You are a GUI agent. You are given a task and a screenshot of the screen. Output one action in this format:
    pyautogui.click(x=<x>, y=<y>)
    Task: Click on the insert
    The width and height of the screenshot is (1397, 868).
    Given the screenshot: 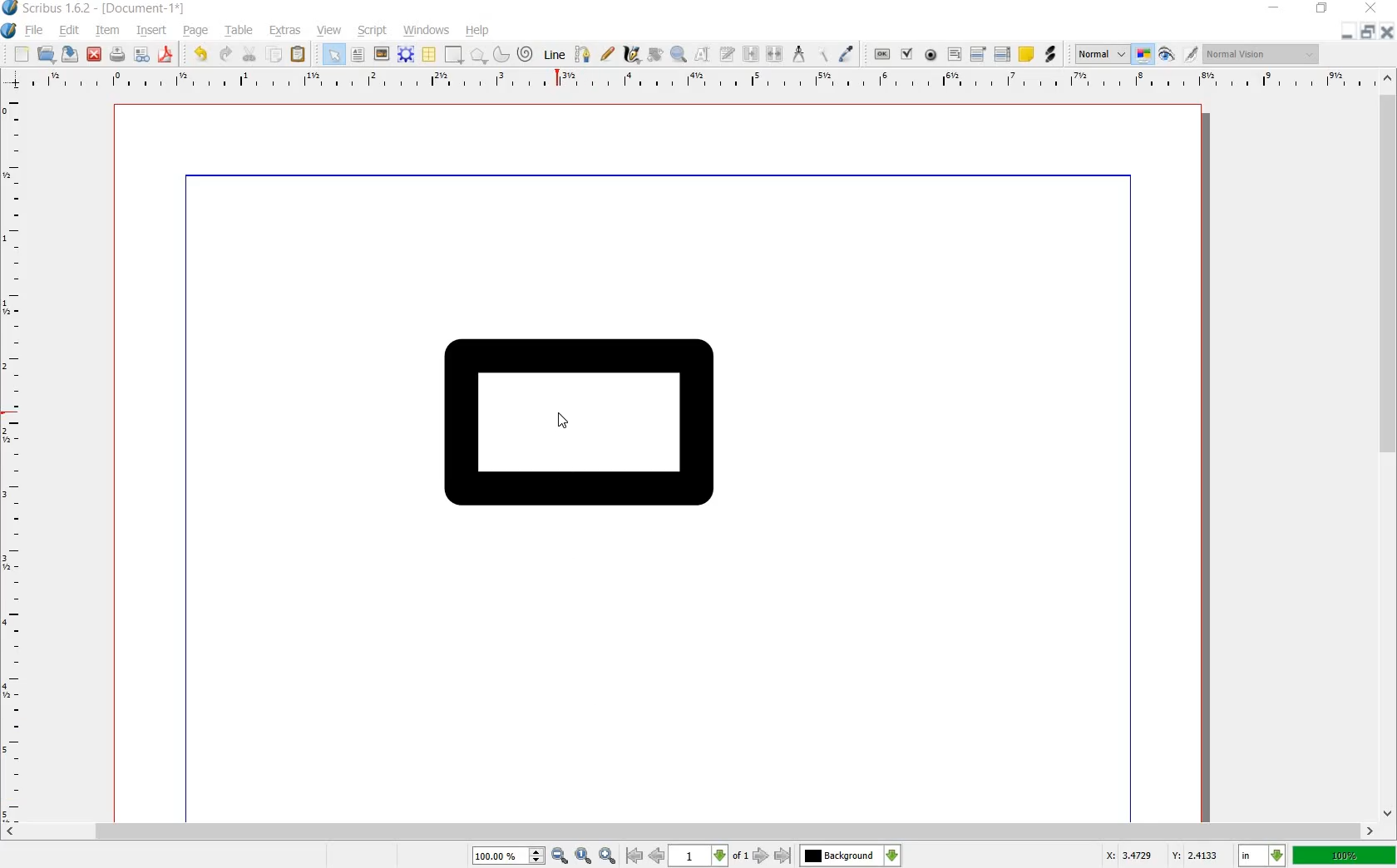 What is the action you would take?
    pyautogui.click(x=152, y=32)
    